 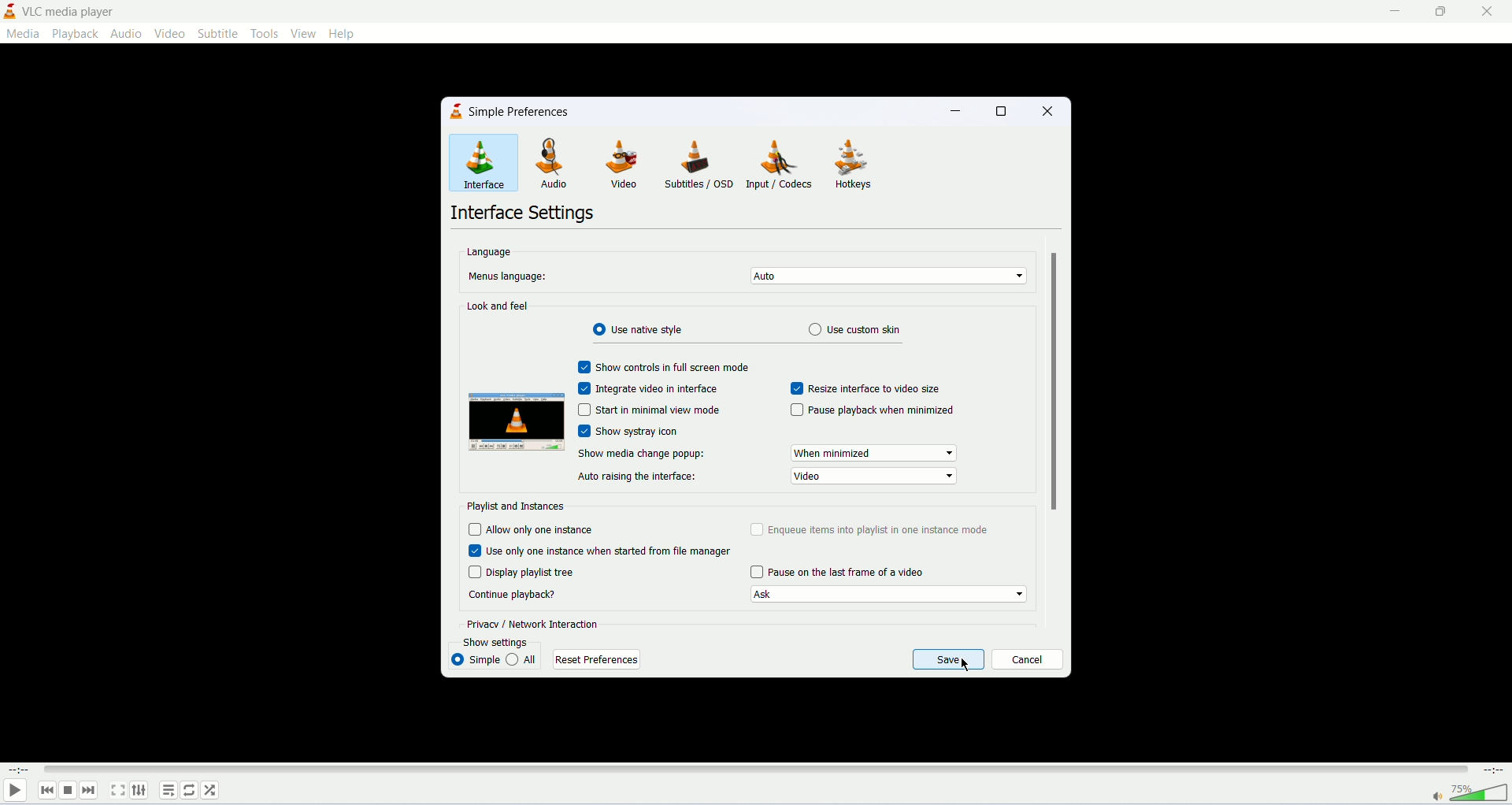 I want to click on playback, so click(x=76, y=34).